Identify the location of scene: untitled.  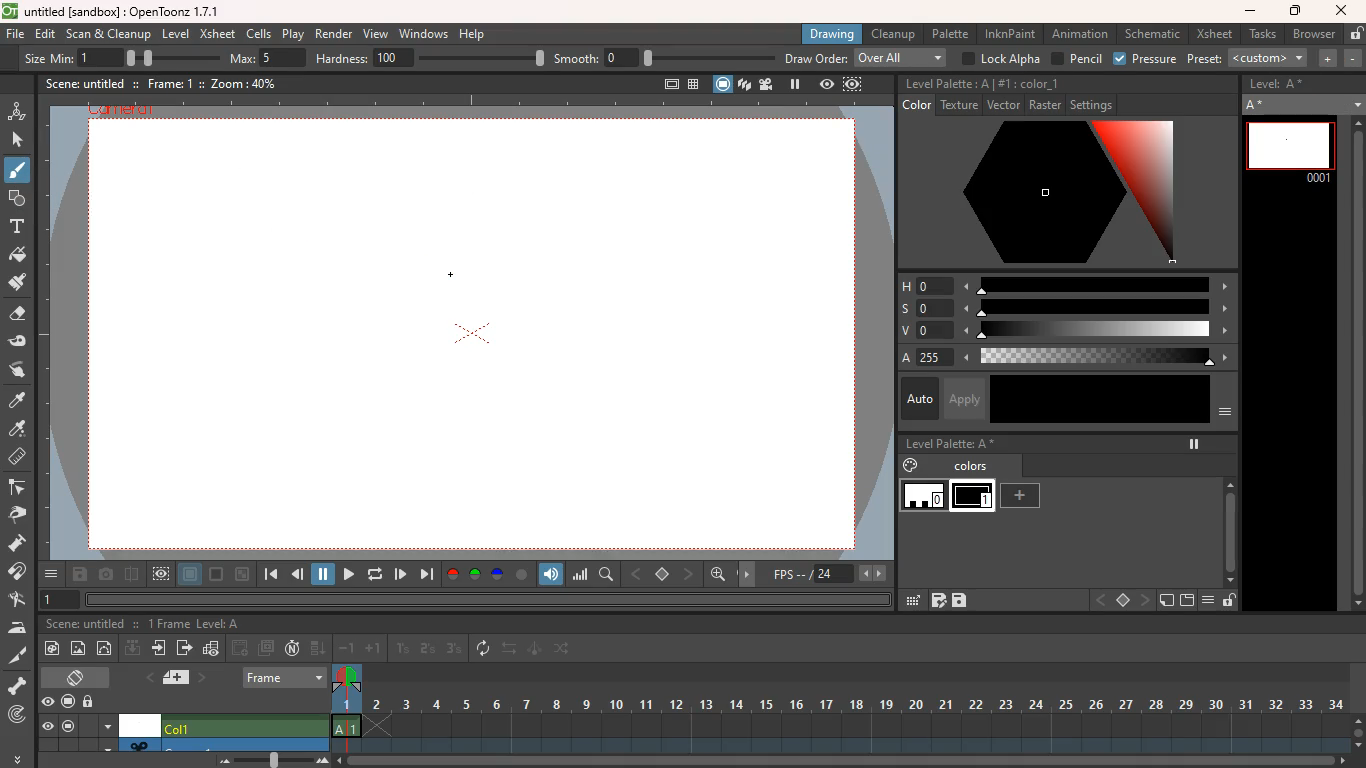
(84, 83).